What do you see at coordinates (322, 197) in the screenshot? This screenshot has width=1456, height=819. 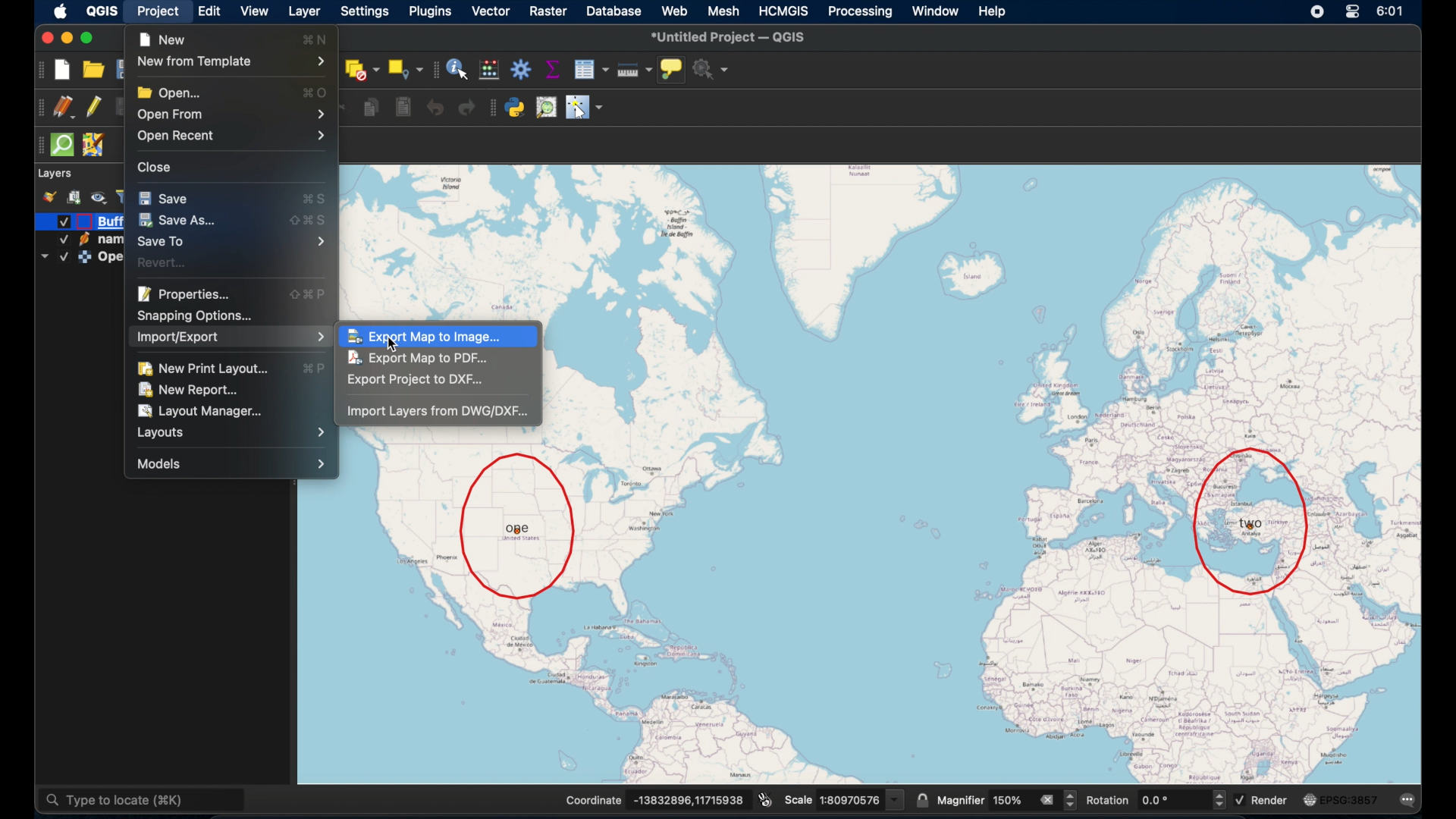 I see `command S` at bounding box center [322, 197].